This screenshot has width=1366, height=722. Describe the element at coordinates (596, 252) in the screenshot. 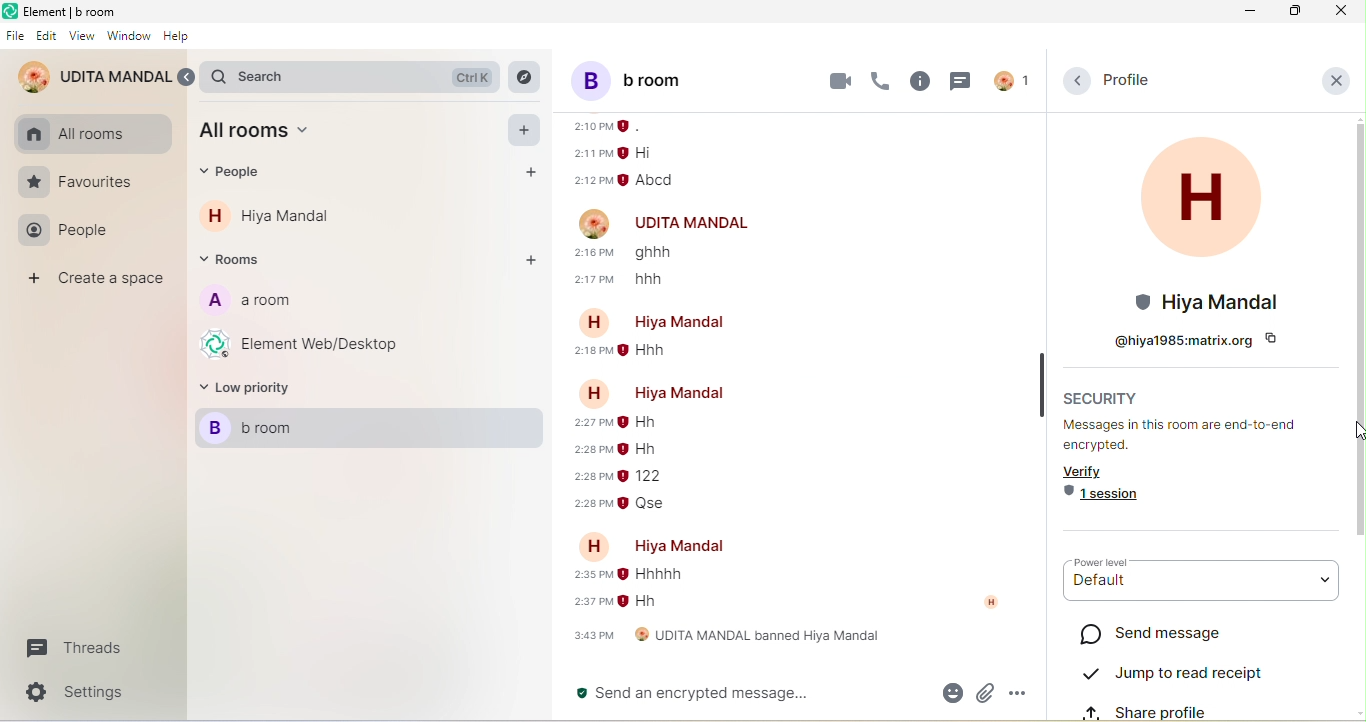

I see `sending message time` at that location.